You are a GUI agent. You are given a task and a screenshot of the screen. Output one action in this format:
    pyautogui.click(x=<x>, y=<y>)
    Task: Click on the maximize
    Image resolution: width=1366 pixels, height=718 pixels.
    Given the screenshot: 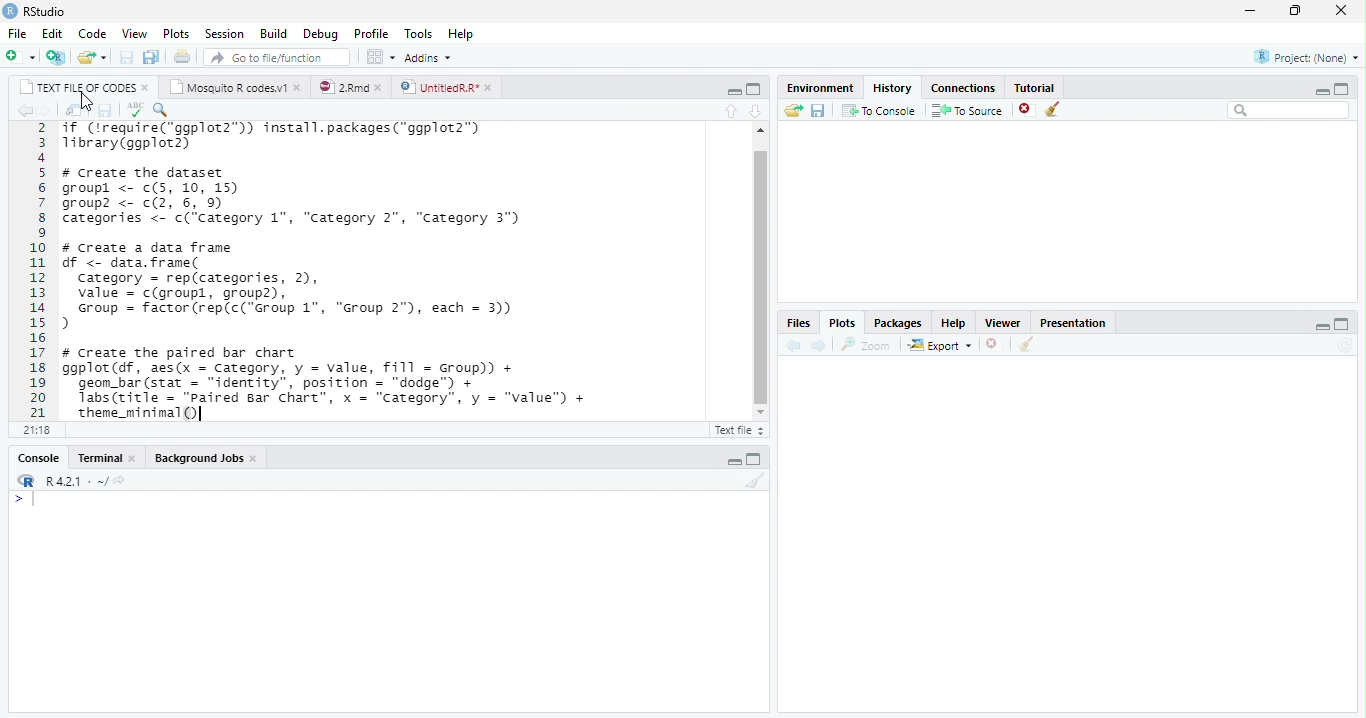 What is the action you would take?
    pyautogui.click(x=1343, y=325)
    